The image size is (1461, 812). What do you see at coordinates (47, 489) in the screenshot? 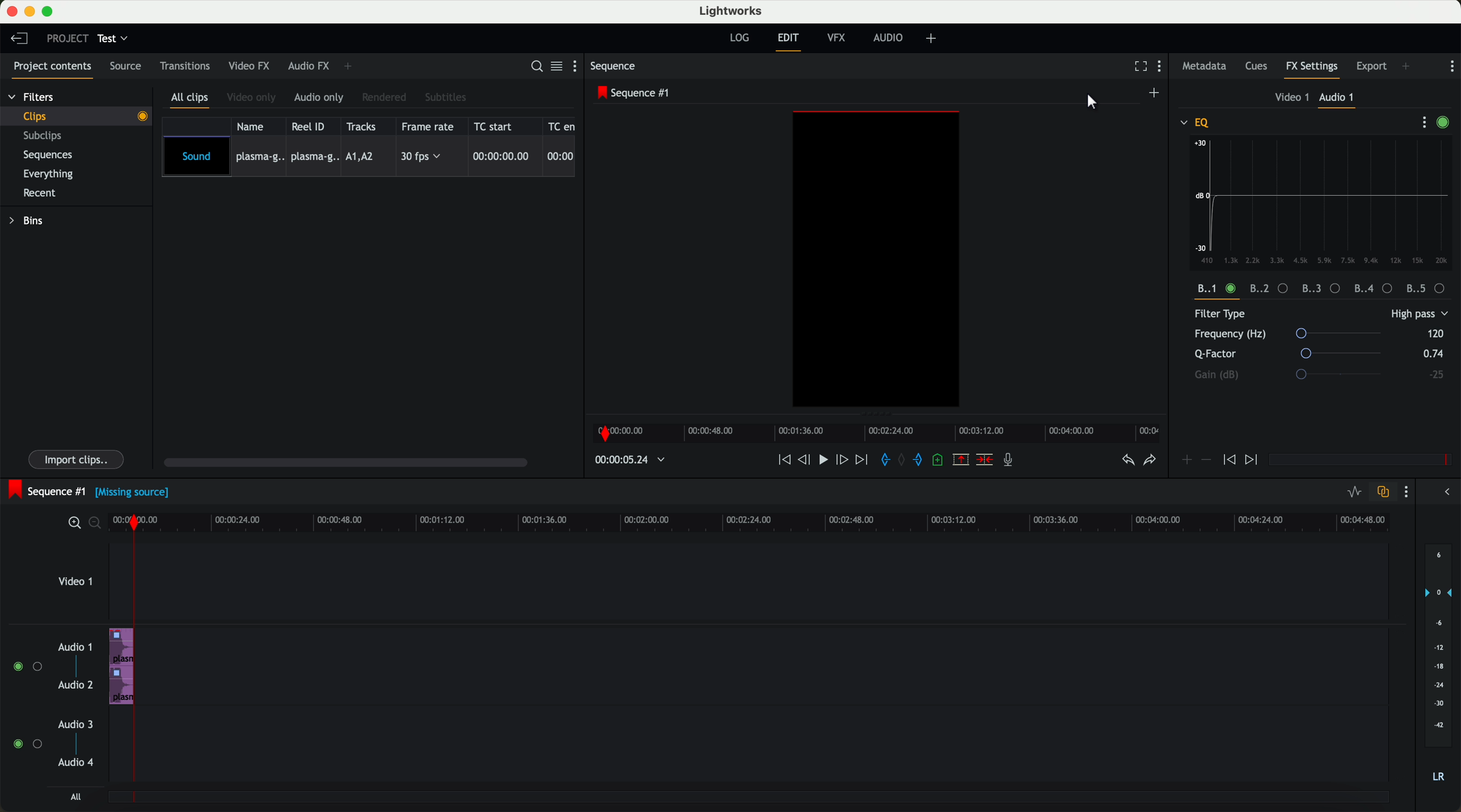
I see `sequence #1` at bounding box center [47, 489].